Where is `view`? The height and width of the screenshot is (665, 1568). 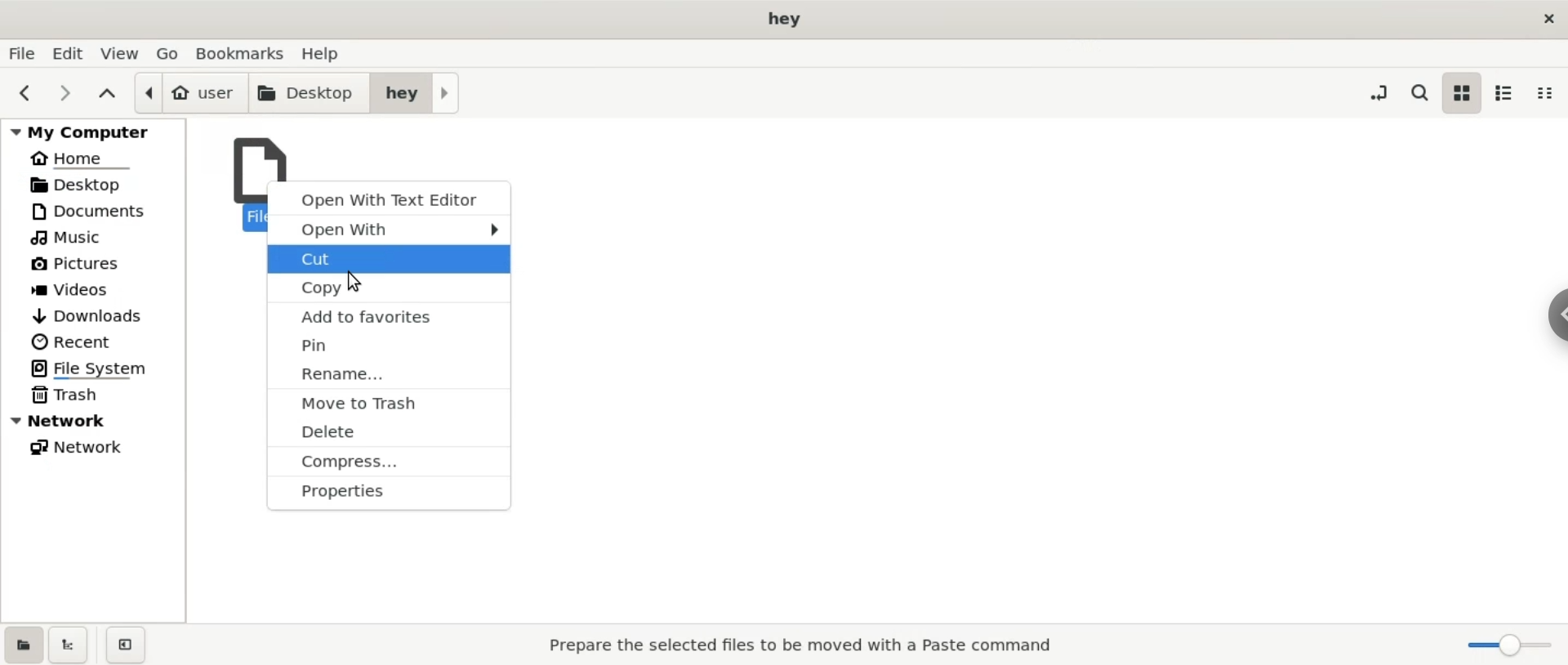 view is located at coordinates (118, 54).